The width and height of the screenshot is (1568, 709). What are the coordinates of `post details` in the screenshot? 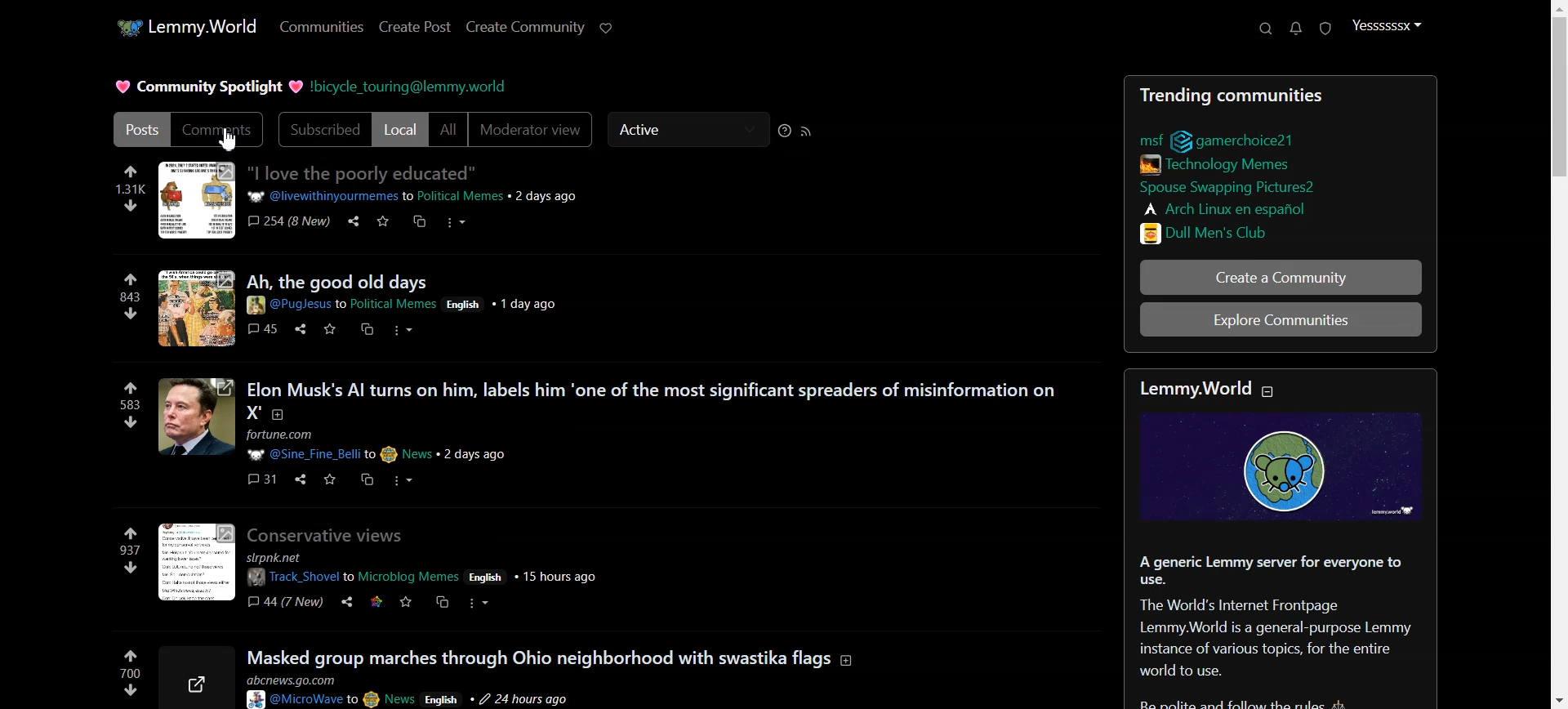 It's located at (412, 195).